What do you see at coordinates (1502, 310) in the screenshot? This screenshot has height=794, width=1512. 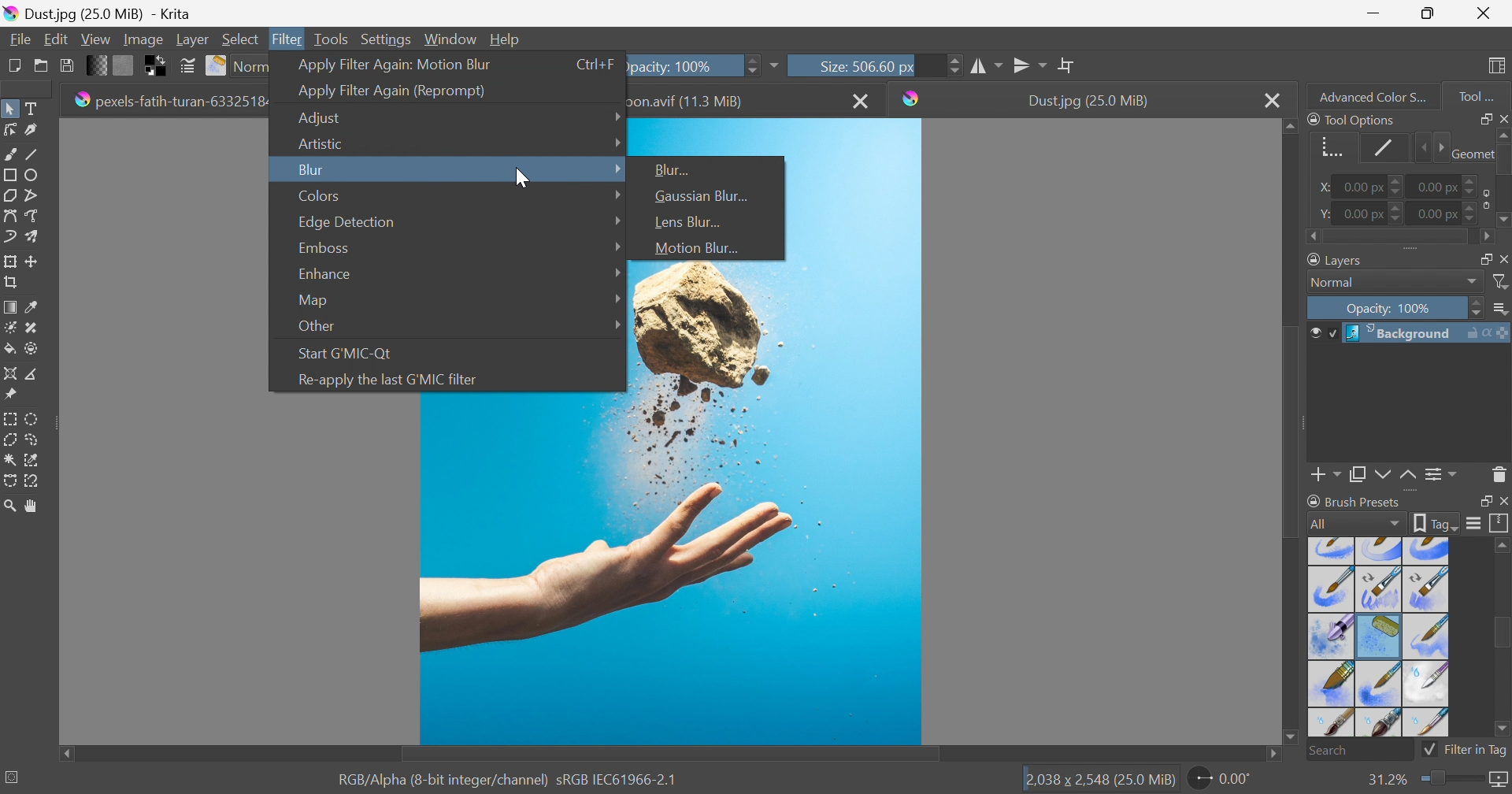 I see `Drop Down` at bounding box center [1502, 310].